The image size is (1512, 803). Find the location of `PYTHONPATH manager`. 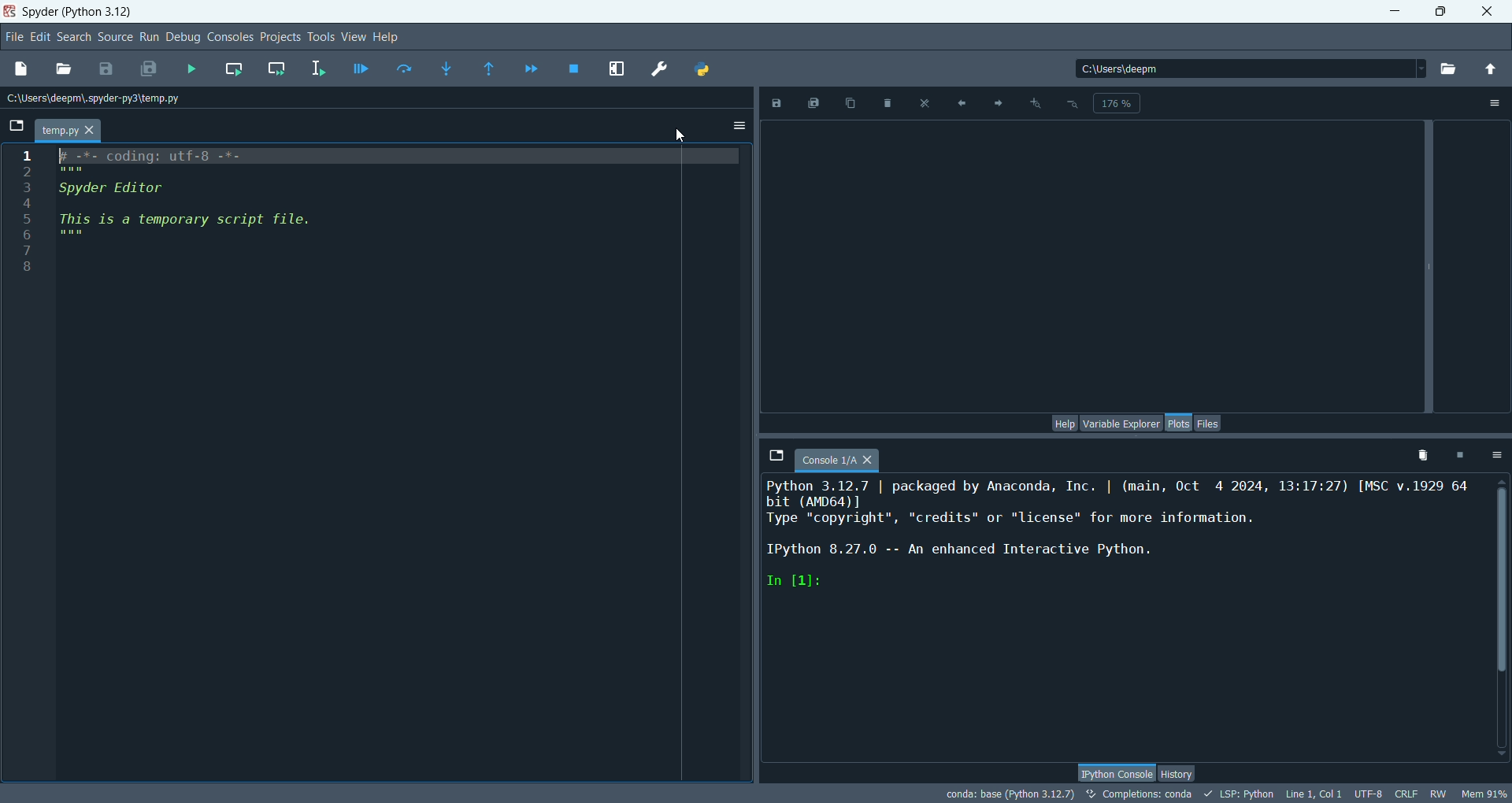

PYTHONPATH manager is located at coordinates (705, 71).